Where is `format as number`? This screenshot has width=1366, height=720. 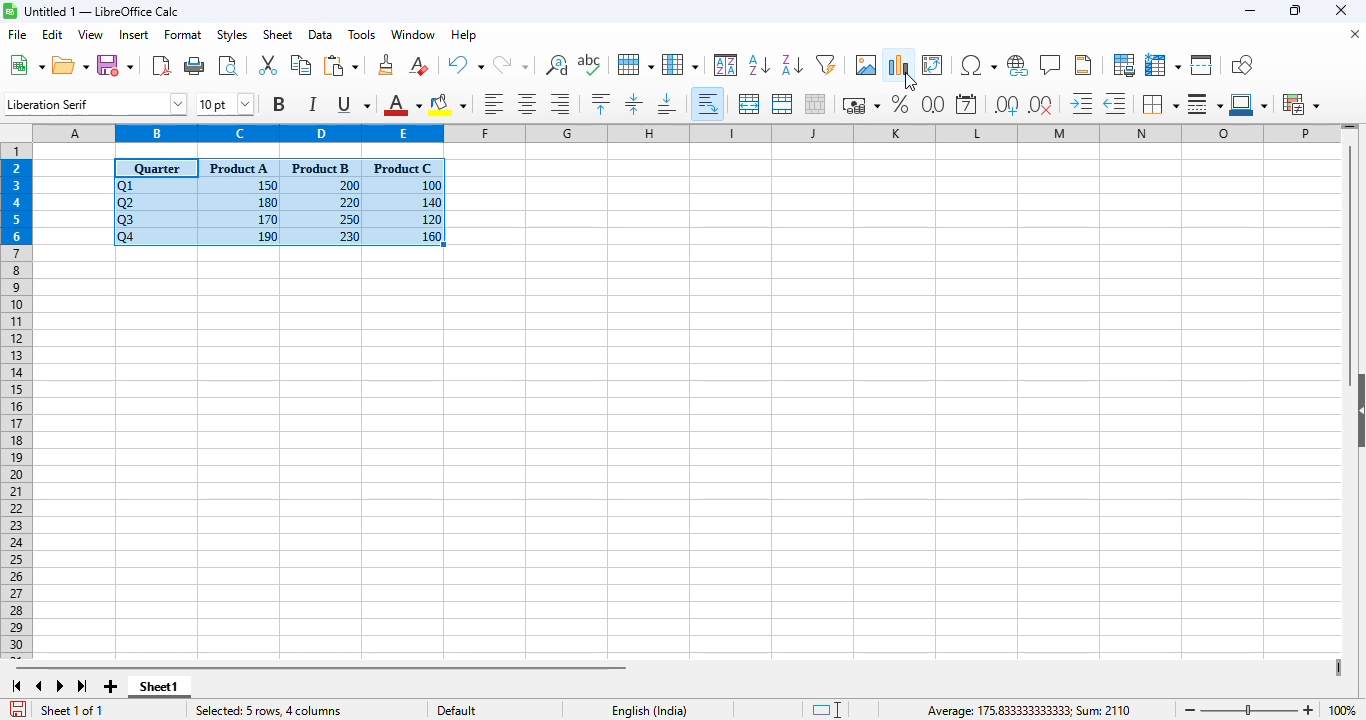 format as number is located at coordinates (933, 104).